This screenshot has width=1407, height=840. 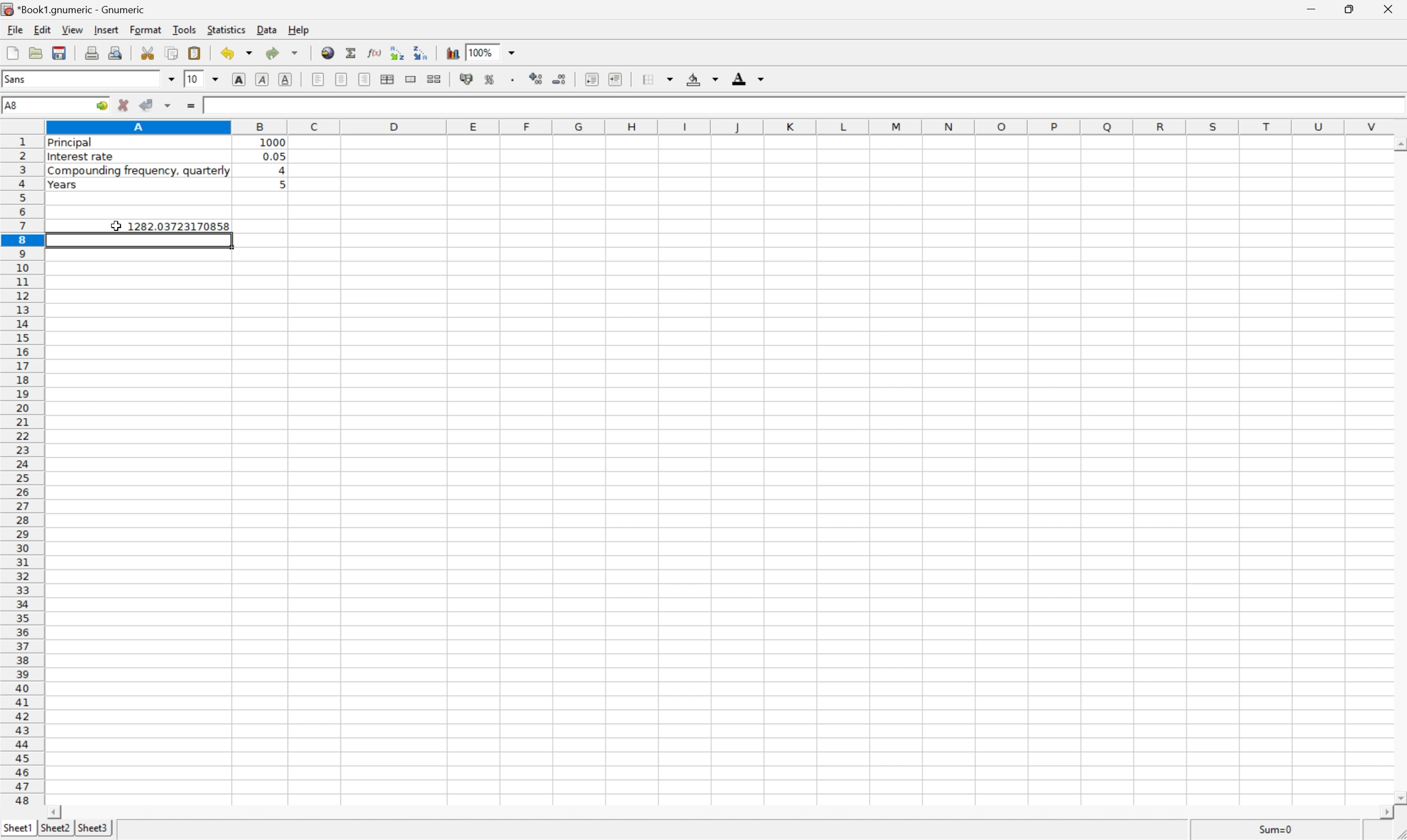 I want to click on help, so click(x=297, y=28).